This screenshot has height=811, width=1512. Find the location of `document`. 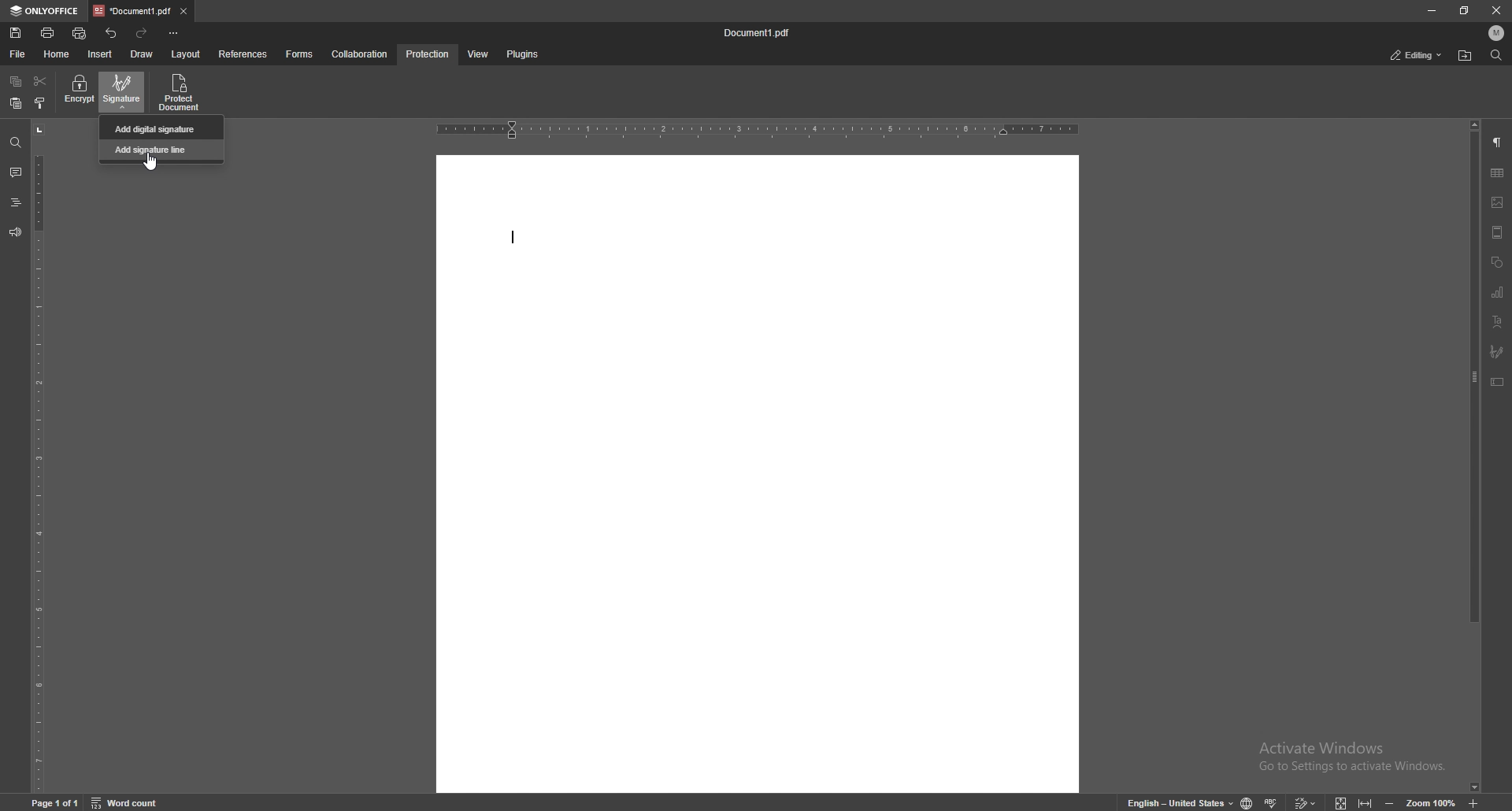

document is located at coordinates (758, 472).